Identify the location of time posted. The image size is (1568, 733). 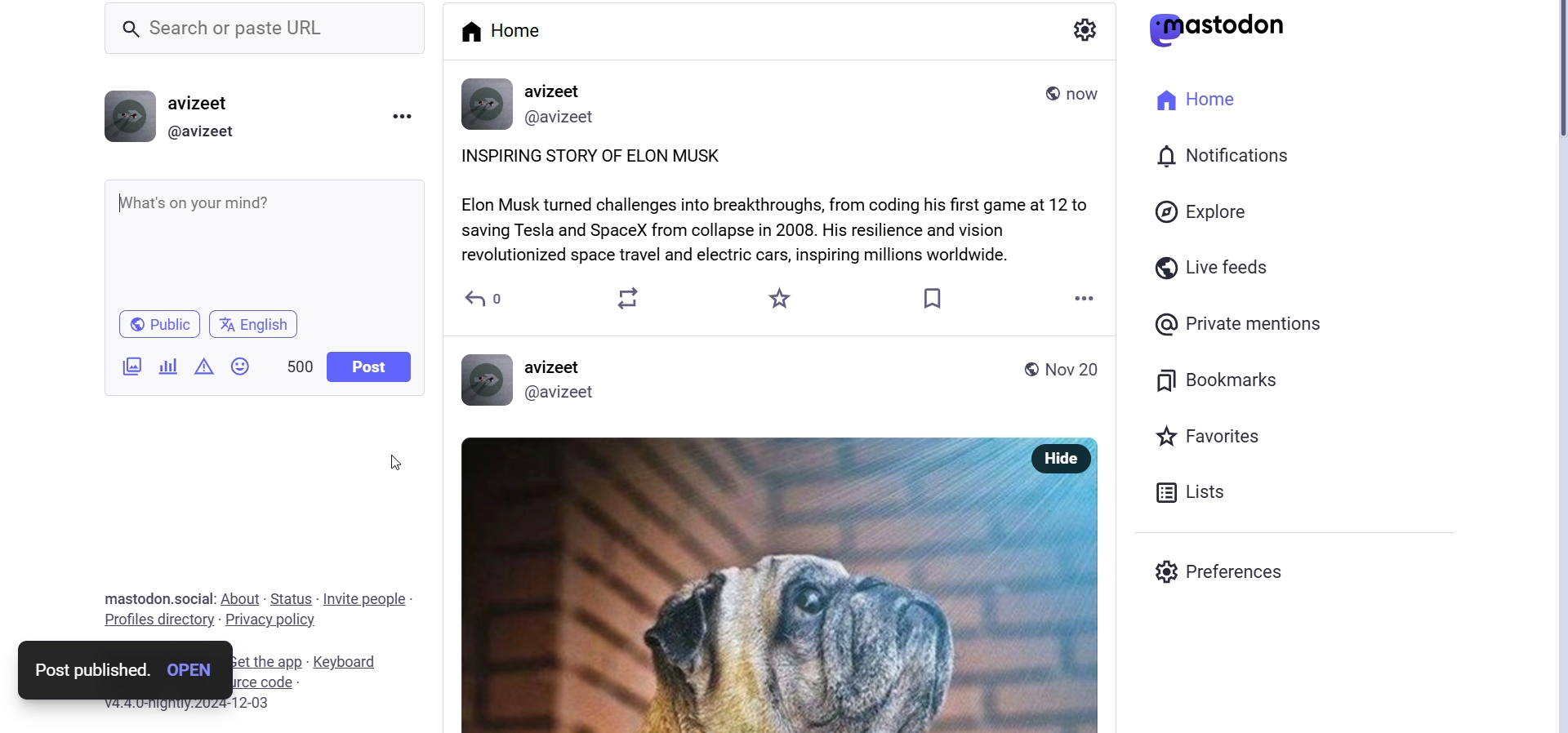
(1086, 96).